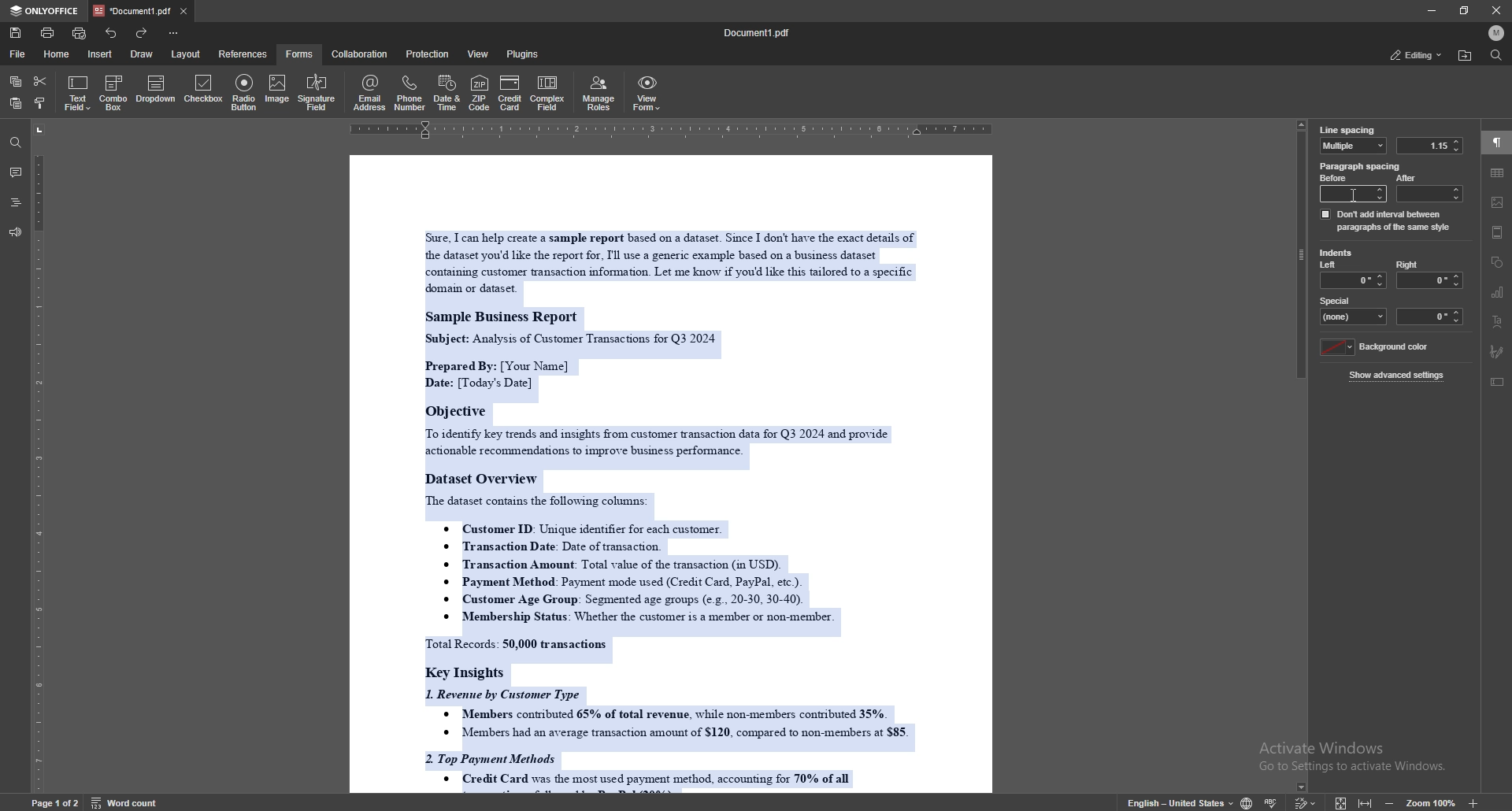 The height and width of the screenshot is (811, 1512). Describe the element at coordinates (15, 233) in the screenshot. I see `feedback` at that location.